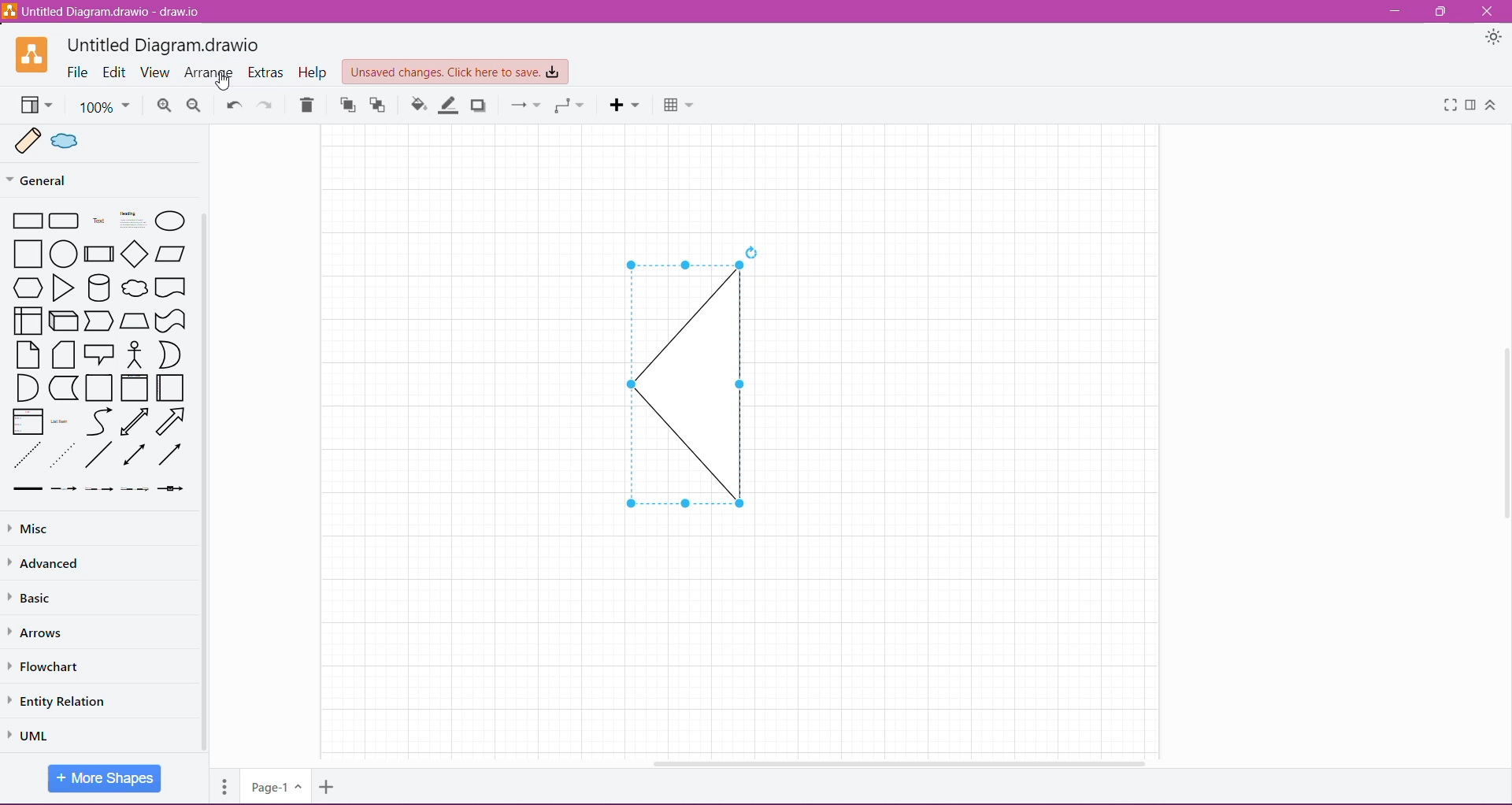 The image size is (1512, 805). I want to click on Application Logo, so click(34, 55).